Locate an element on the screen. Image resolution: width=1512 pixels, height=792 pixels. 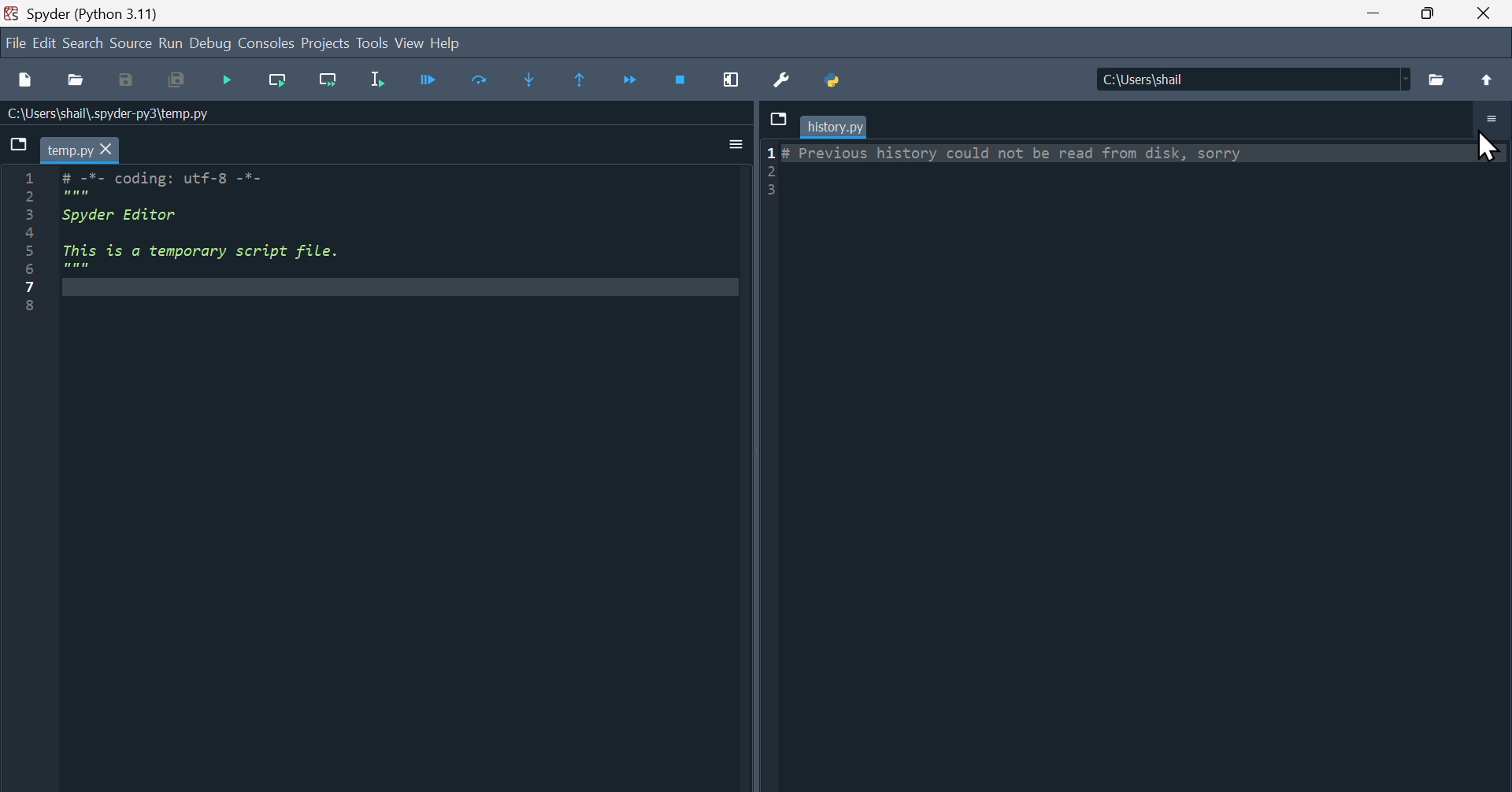
view is located at coordinates (409, 43).